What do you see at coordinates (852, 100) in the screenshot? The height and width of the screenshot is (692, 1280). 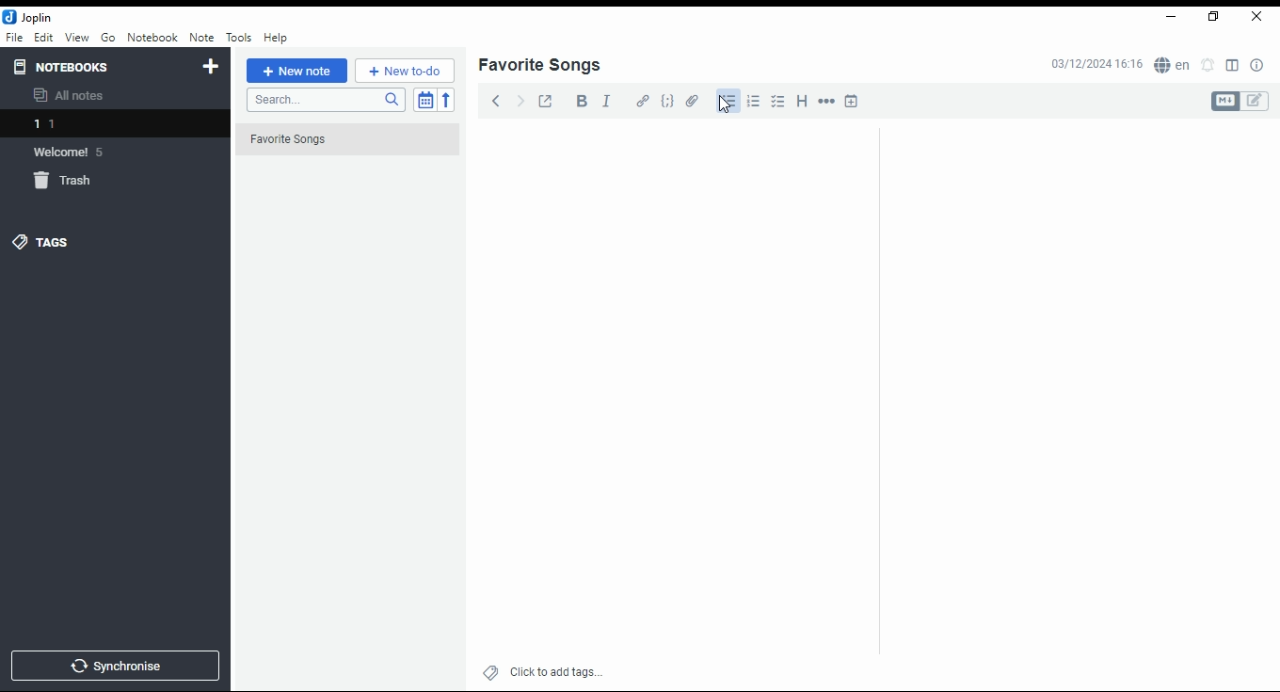 I see `insert time` at bounding box center [852, 100].